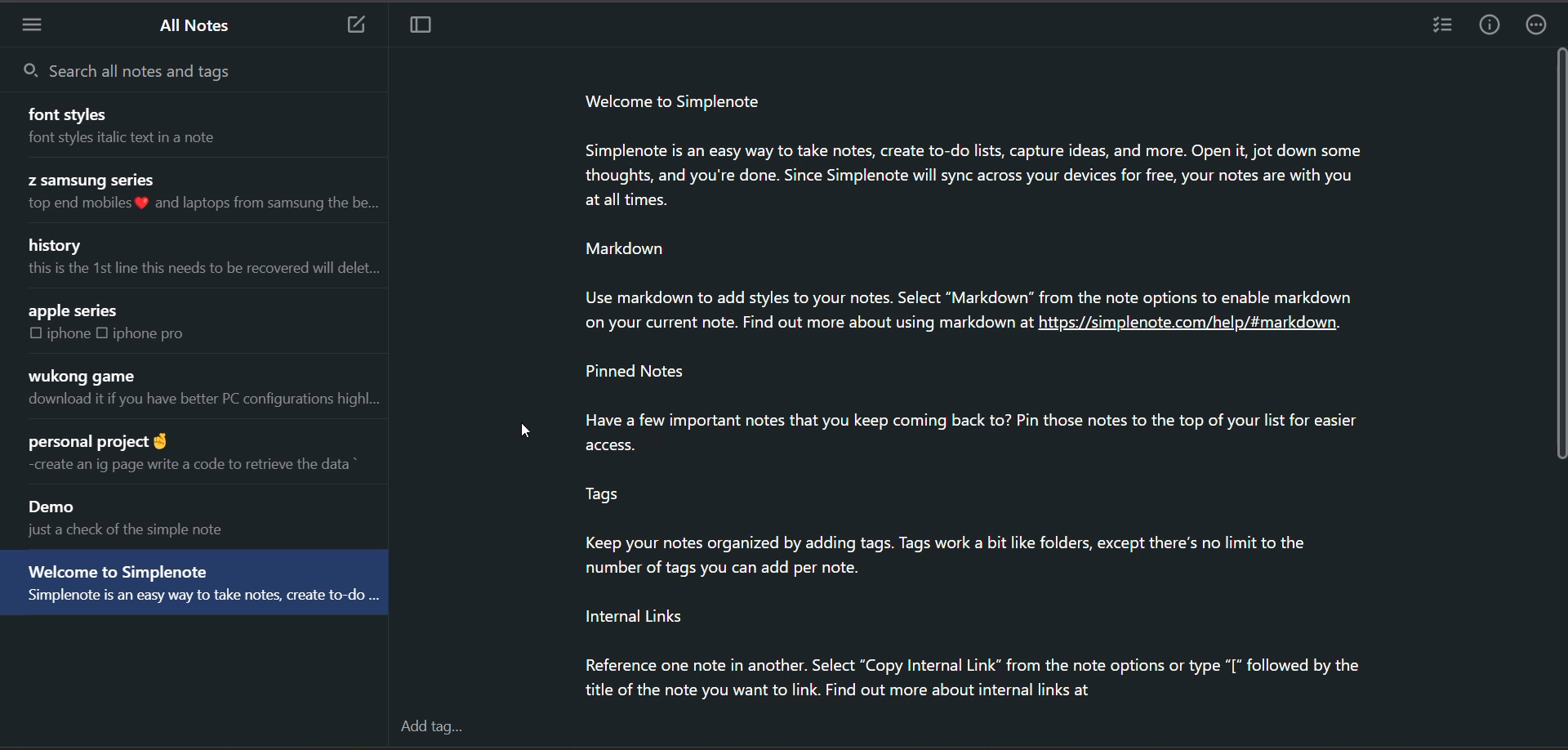 The image size is (1568, 750). Describe the element at coordinates (177, 73) in the screenshot. I see `search` at that location.